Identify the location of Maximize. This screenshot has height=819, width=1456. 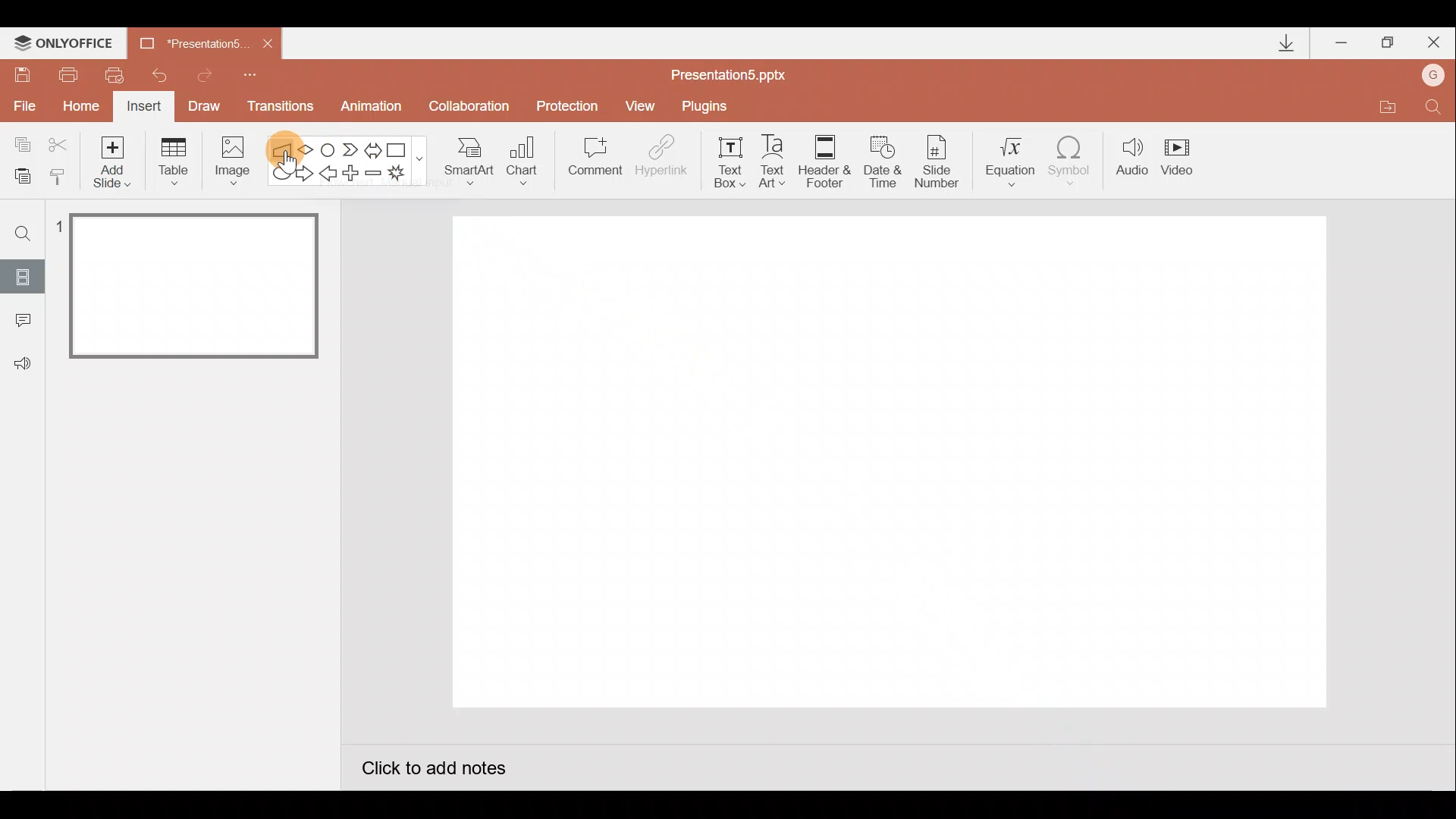
(1388, 43).